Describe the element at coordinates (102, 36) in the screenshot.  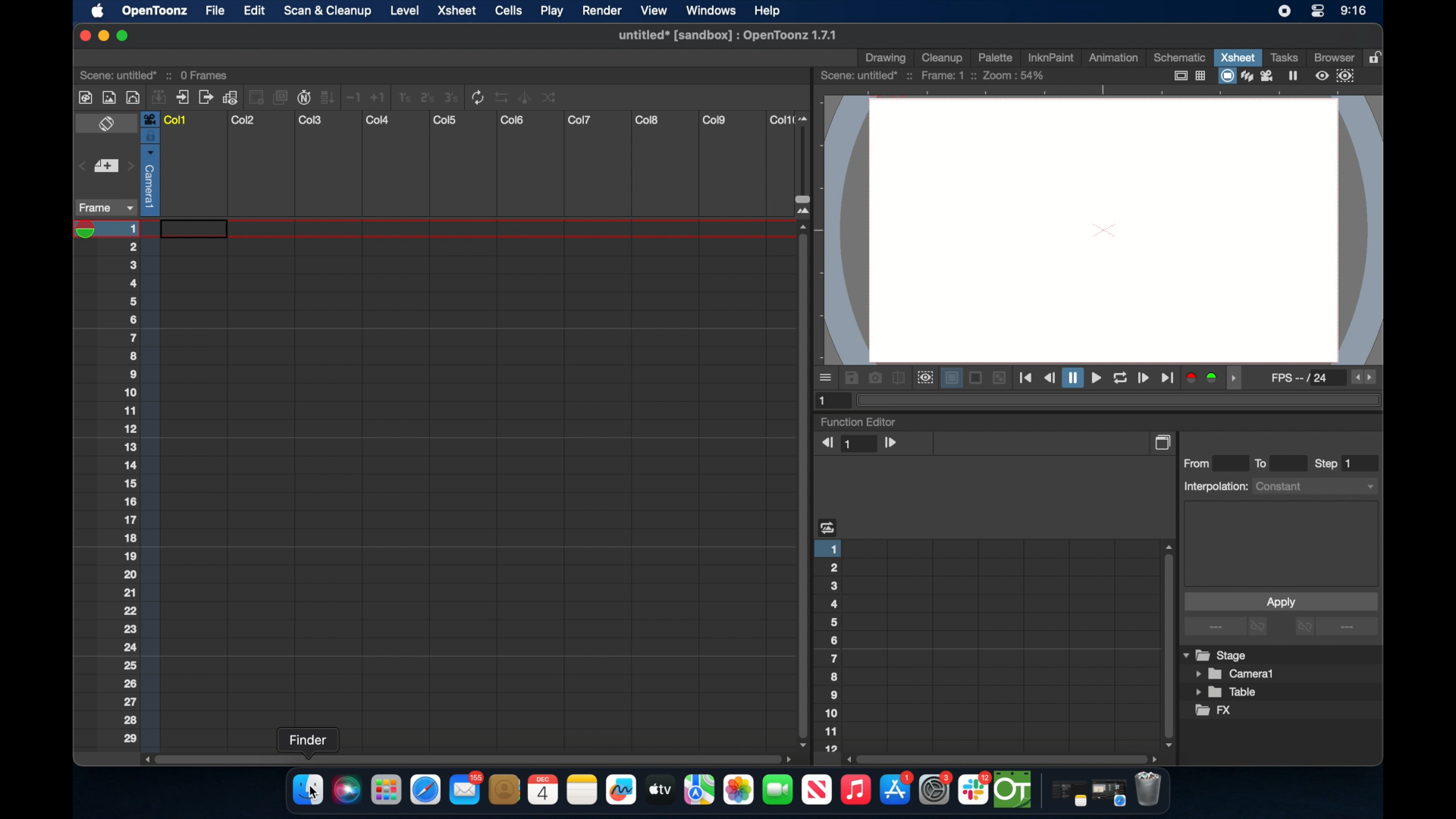
I see `minimize` at that location.